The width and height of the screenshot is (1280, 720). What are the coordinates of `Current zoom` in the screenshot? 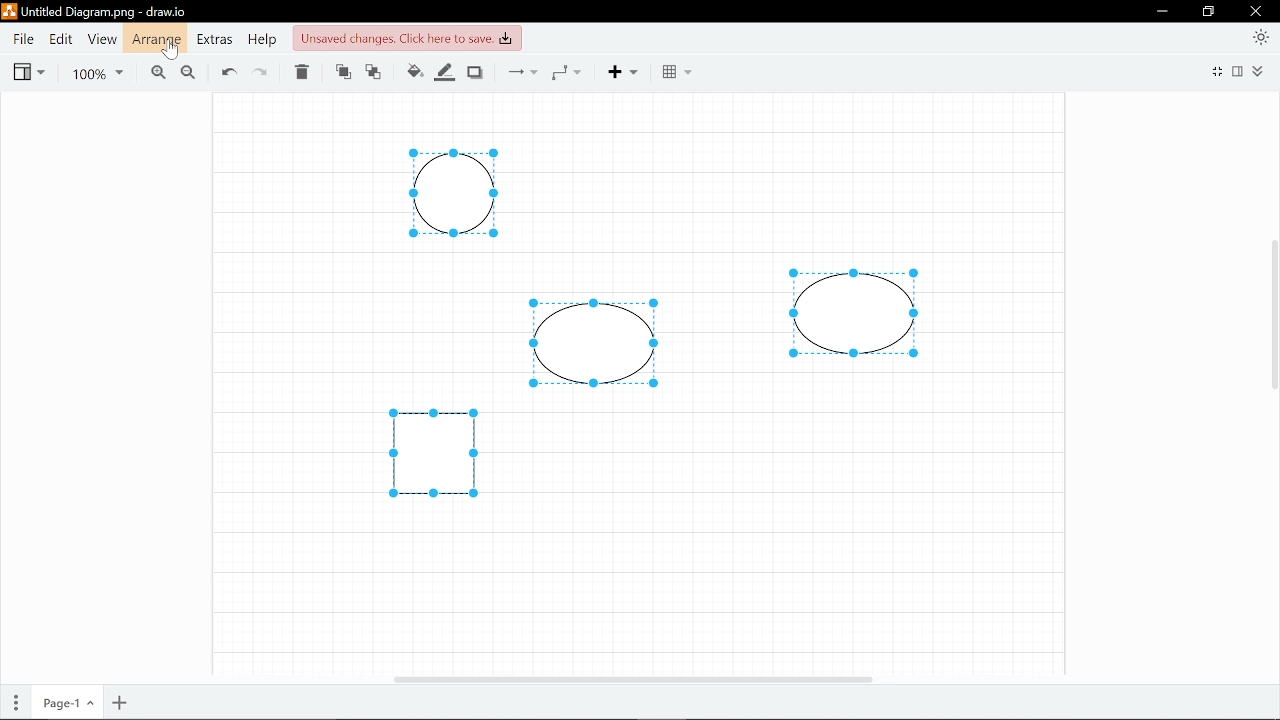 It's located at (97, 71).